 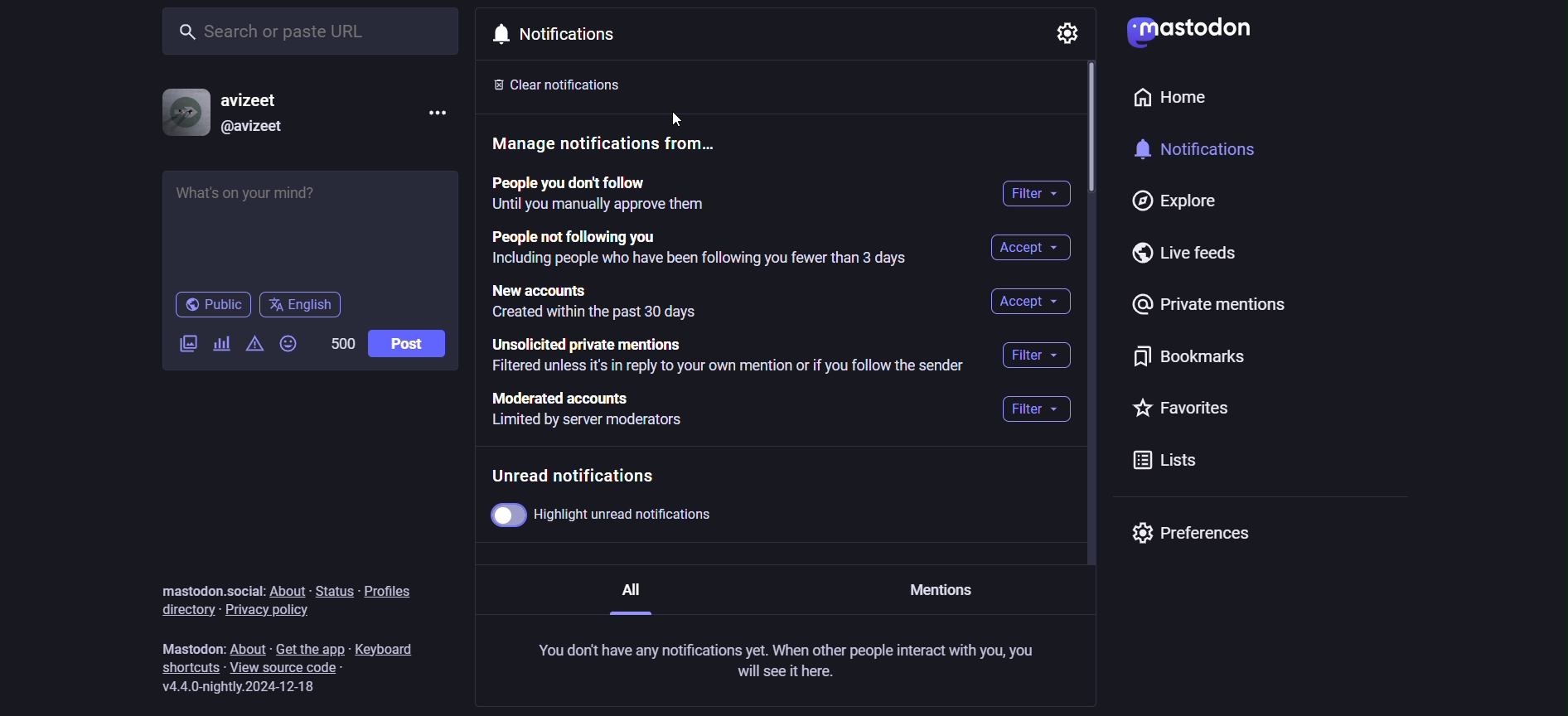 What do you see at coordinates (616, 515) in the screenshot?
I see `highlight unread notification disabled` at bounding box center [616, 515].